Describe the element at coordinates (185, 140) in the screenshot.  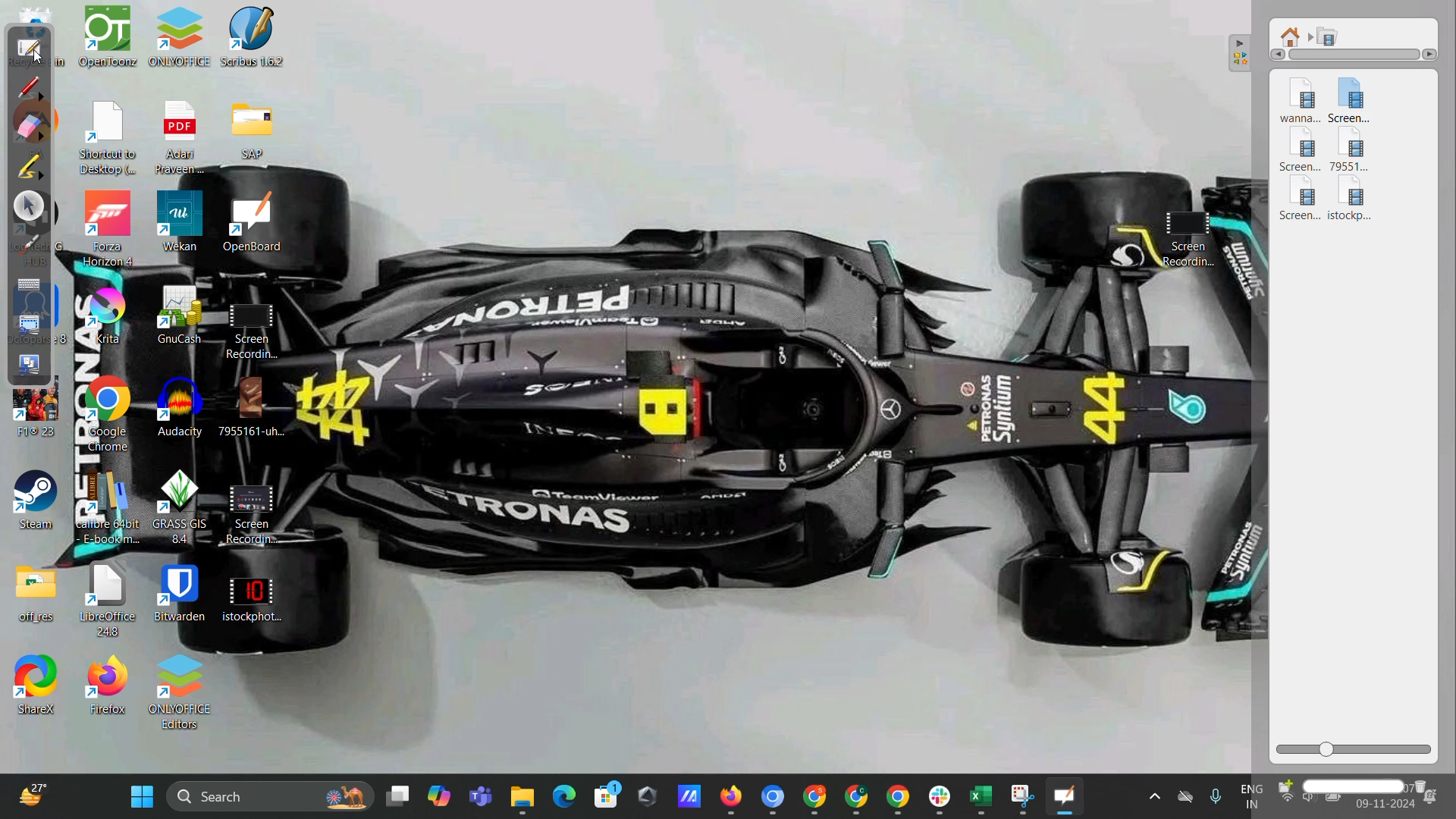
I see `Adan Pravenn` at that location.